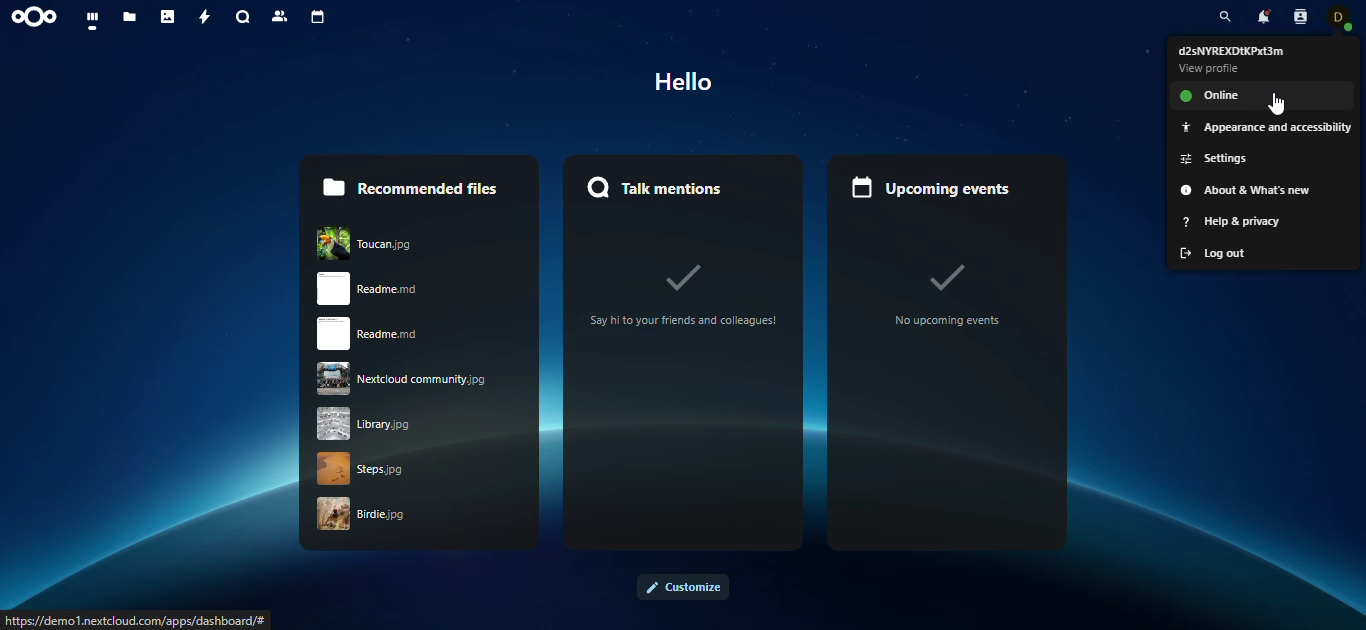 Image resolution: width=1366 pixels, height=630 pixels. What do you see at coordinates (683, 292) in the screenshot?
I see `Say ito your friends and colleagues!` at bounding box center [683, 292].